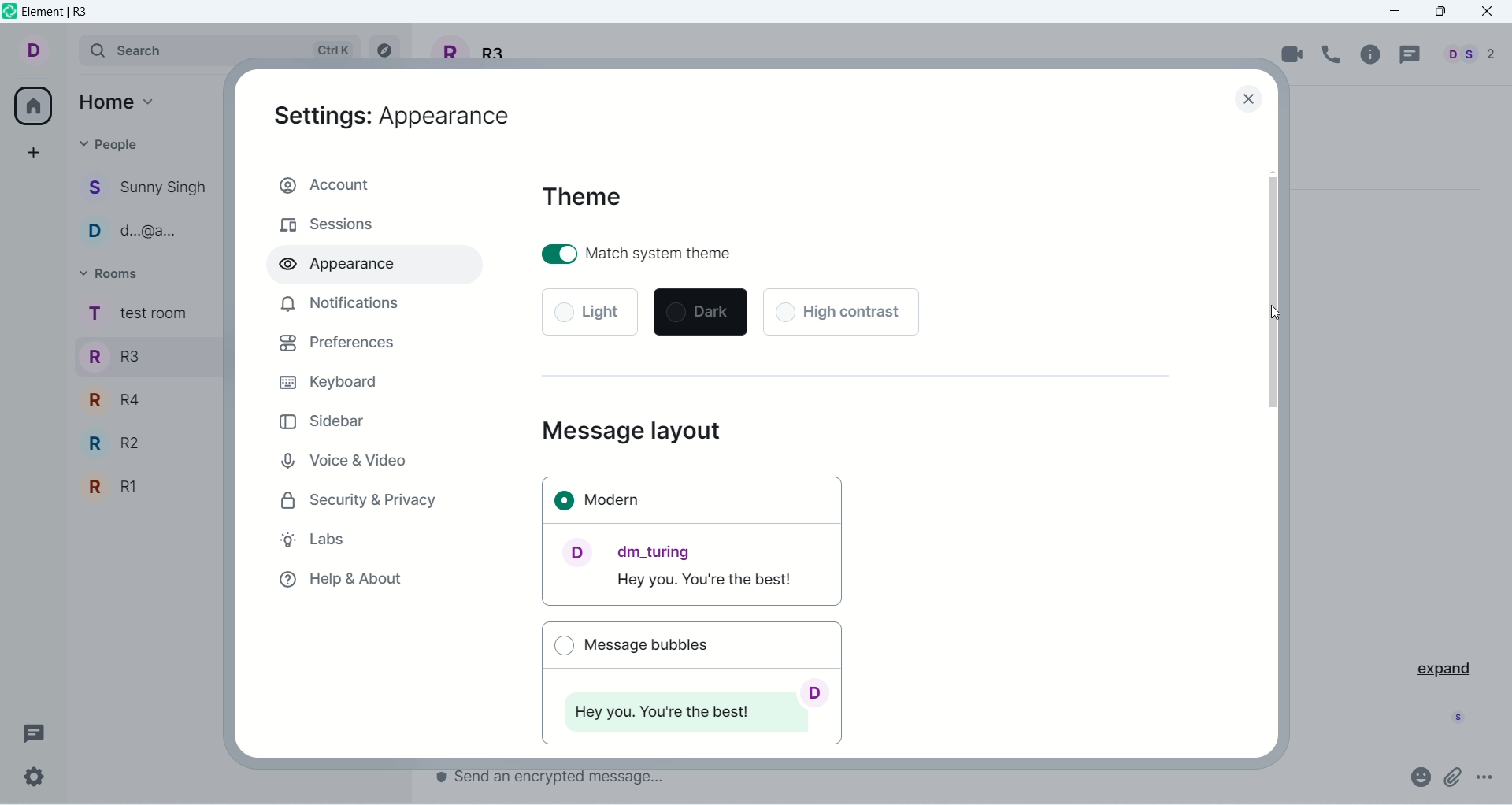 Image resolution: width=1512 pixels, height=805 pixels. I want to click on emoji, so click(1419, 776).